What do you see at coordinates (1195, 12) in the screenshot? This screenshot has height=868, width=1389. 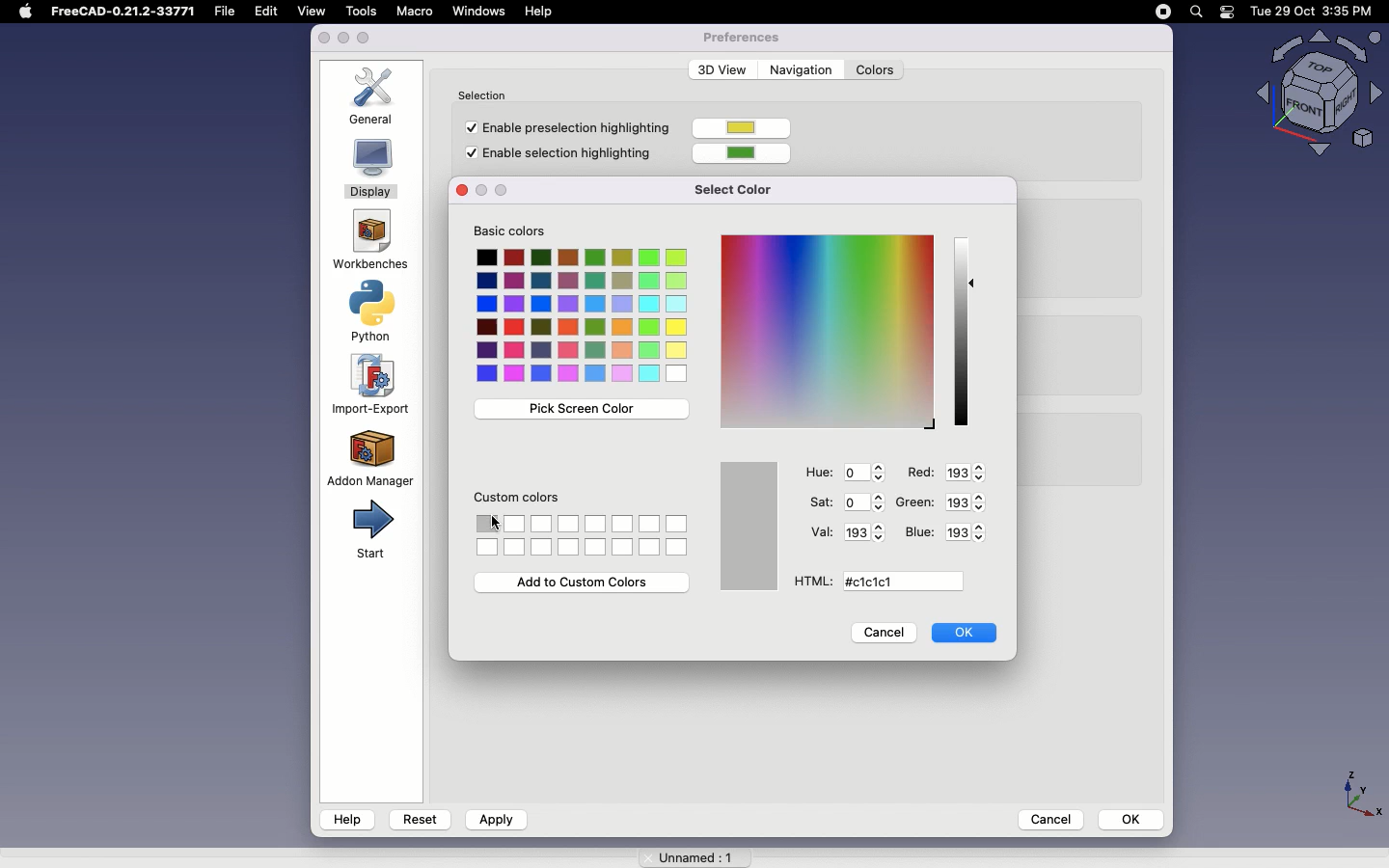 I see `search` at bounding box center [1195, 12].